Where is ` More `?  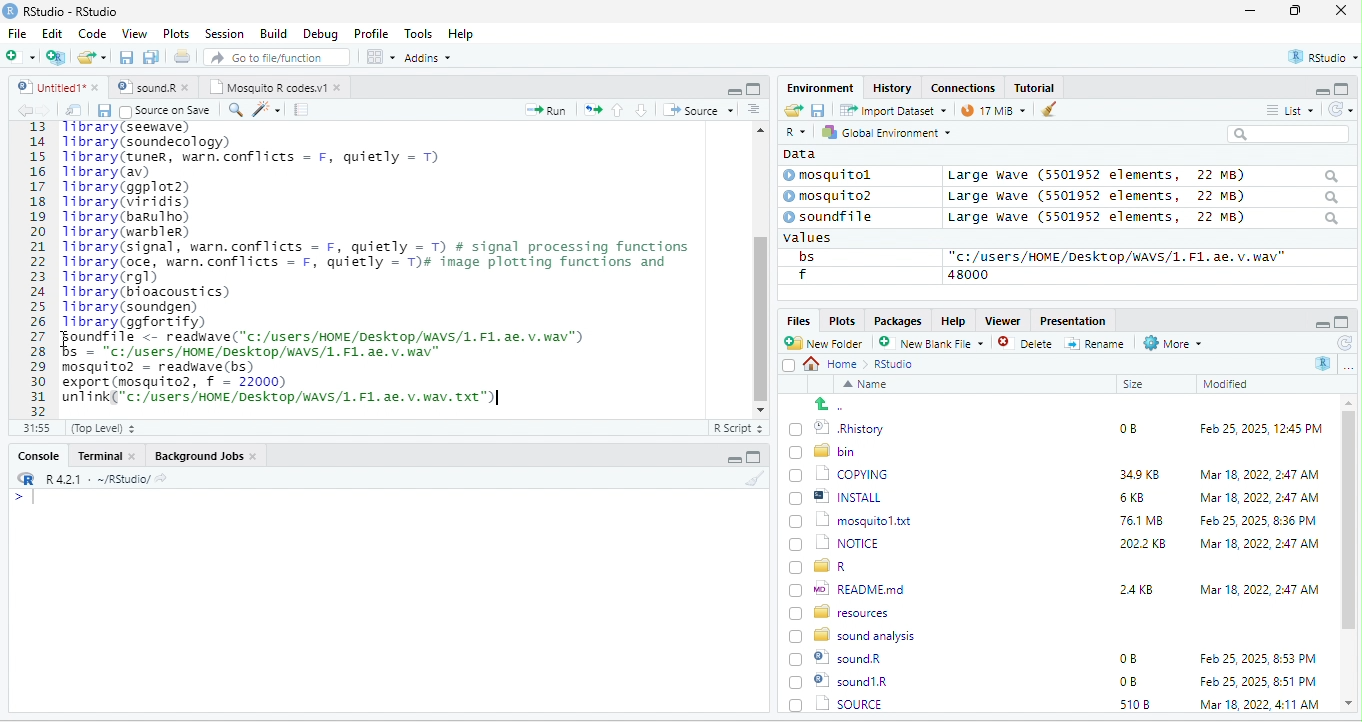  More  is located at coordinates (1171, 344).